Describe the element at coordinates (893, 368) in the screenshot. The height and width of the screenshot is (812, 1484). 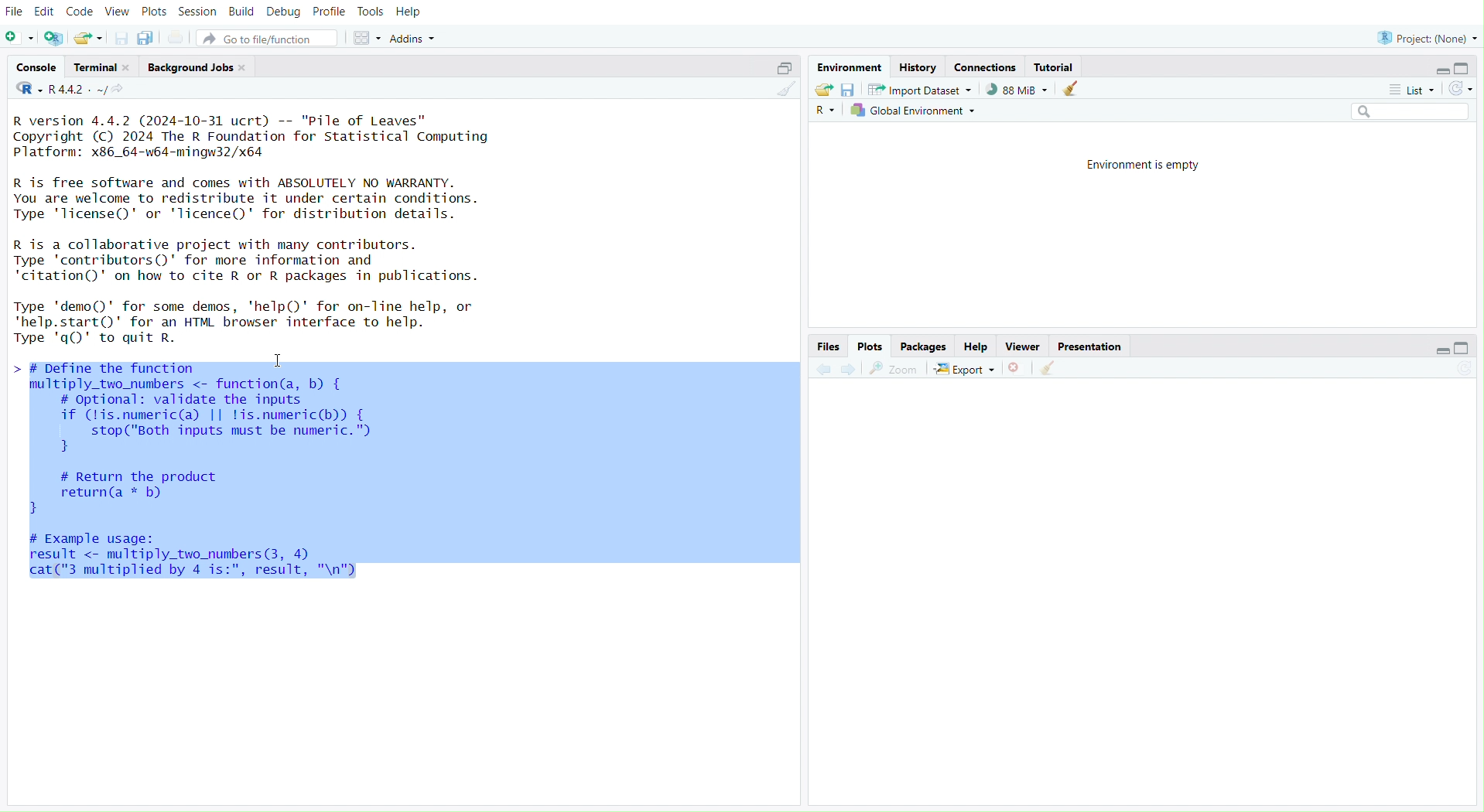
I see `Zoom` at that location.